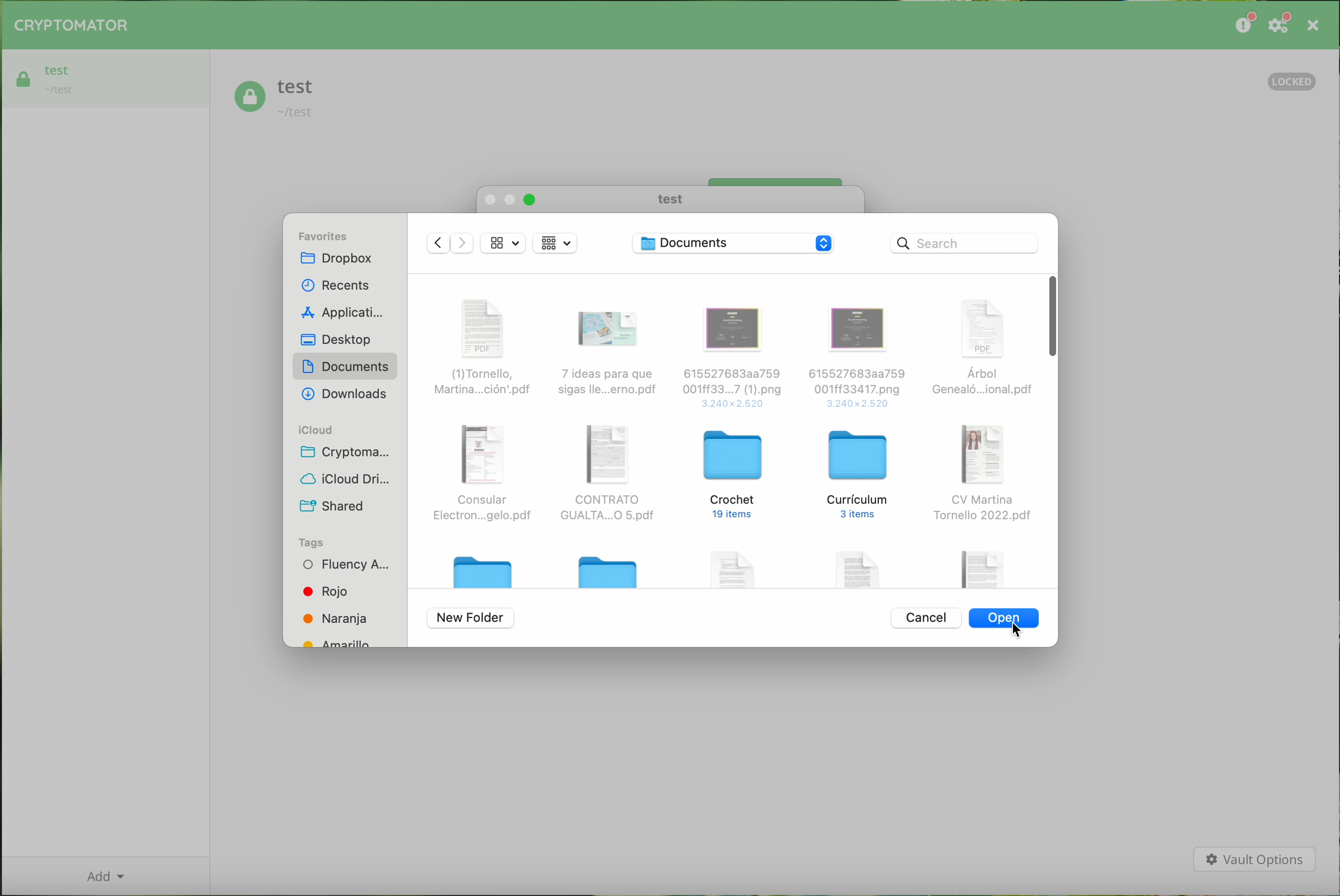  Describe the element at coordinates (530, 200) in the screenshot. I see `maximize` at that location.